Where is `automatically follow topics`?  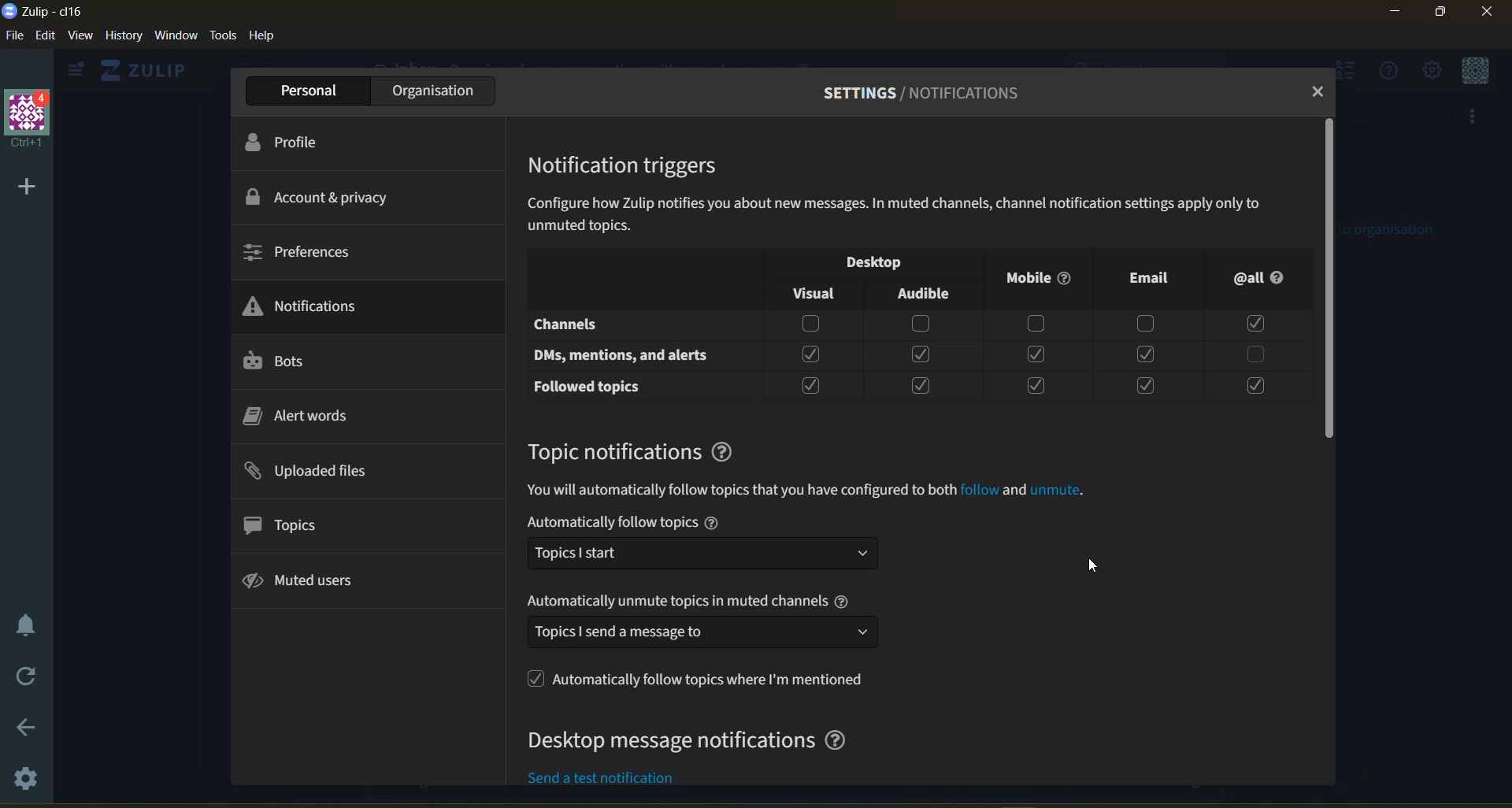 automatically follow topics is located at coordinates (705, 521).